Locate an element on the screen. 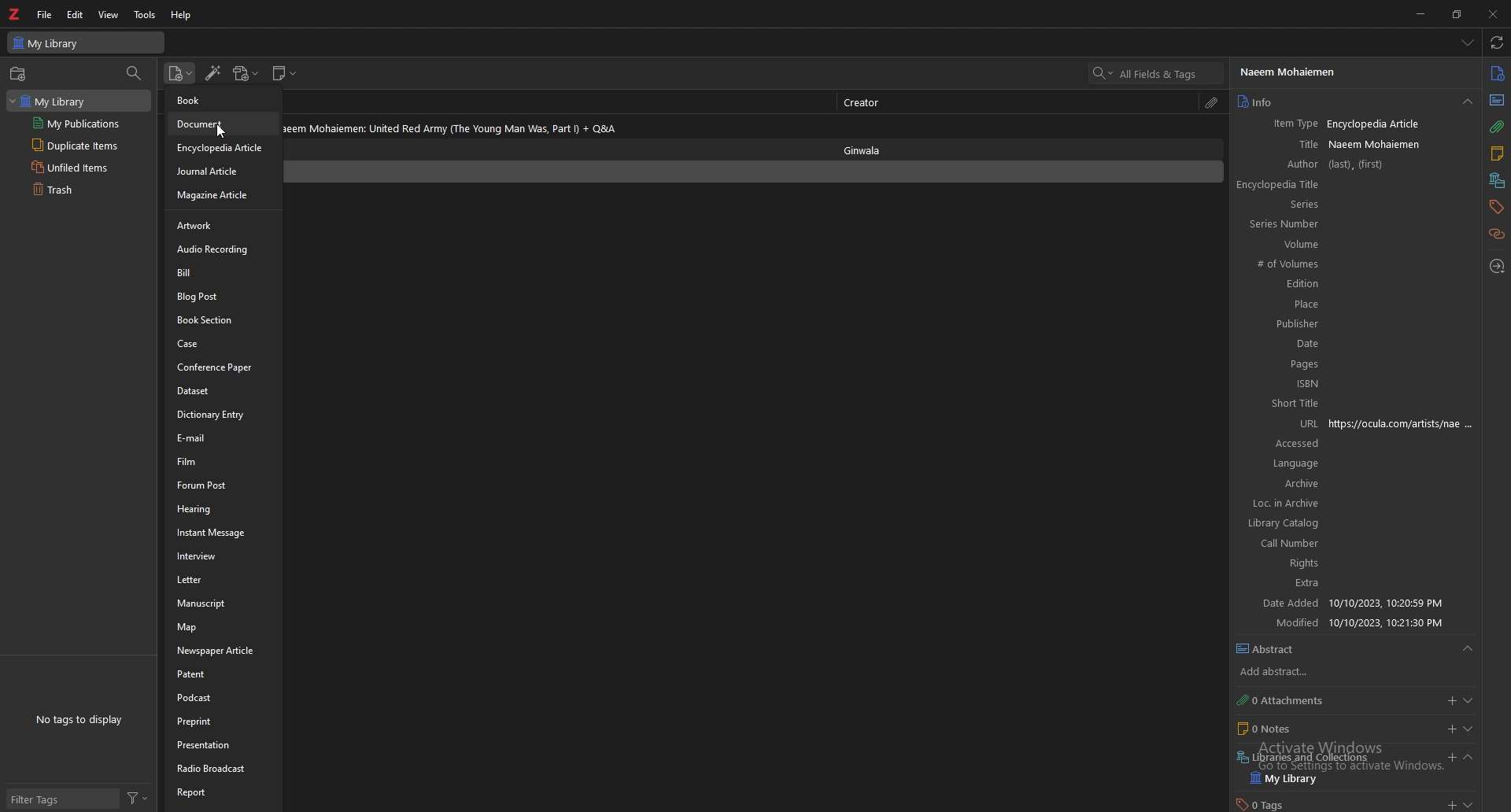  preprint is located at coordinates (220, 721).